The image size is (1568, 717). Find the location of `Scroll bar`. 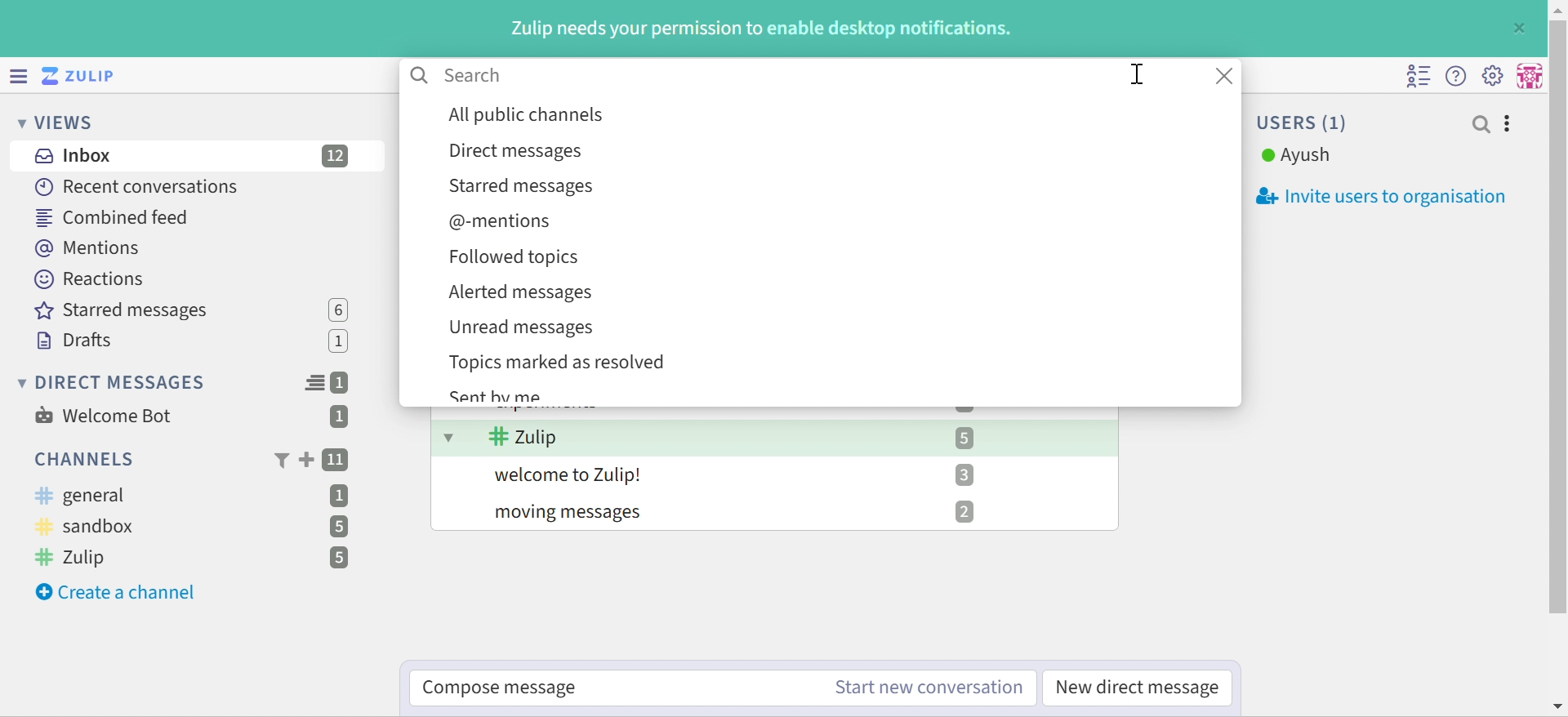

Scroll bar is located at coordinates (1558, 317).